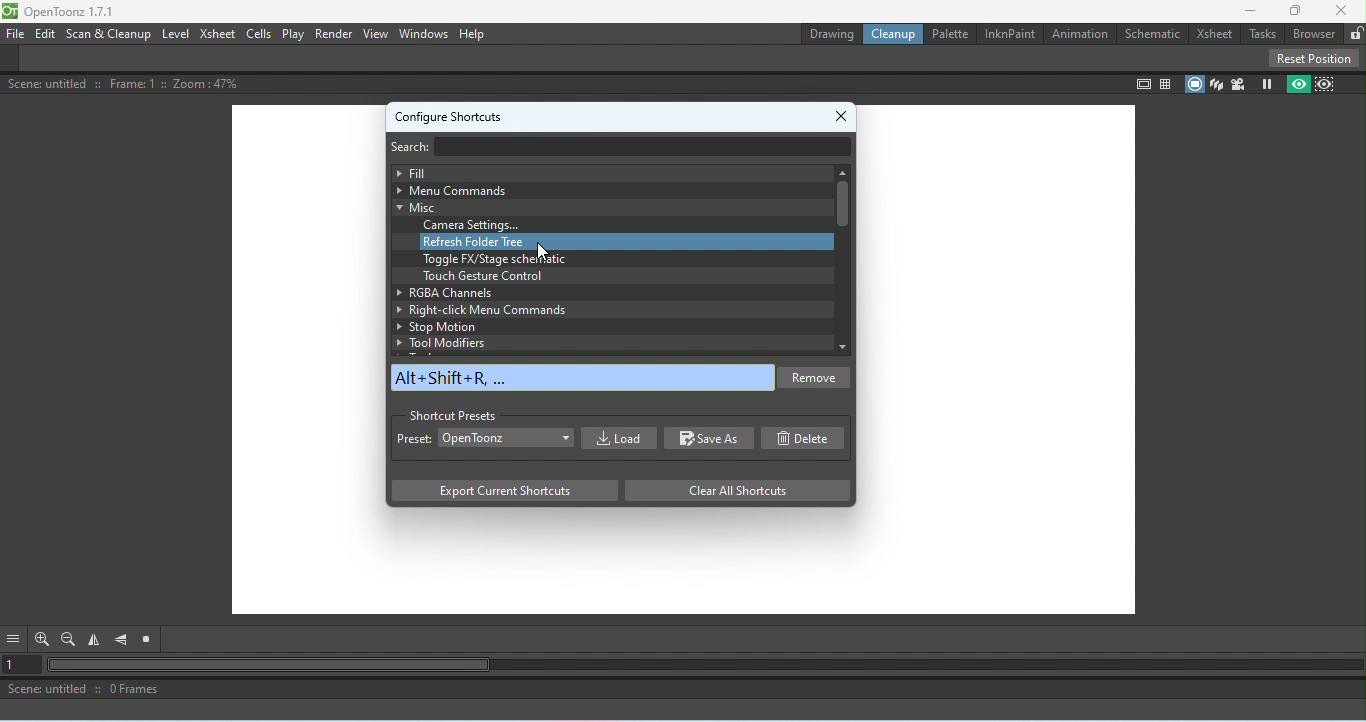 The height and width of the screenshot is (722, 1366). I want to click on Fill, so click(606, 172).